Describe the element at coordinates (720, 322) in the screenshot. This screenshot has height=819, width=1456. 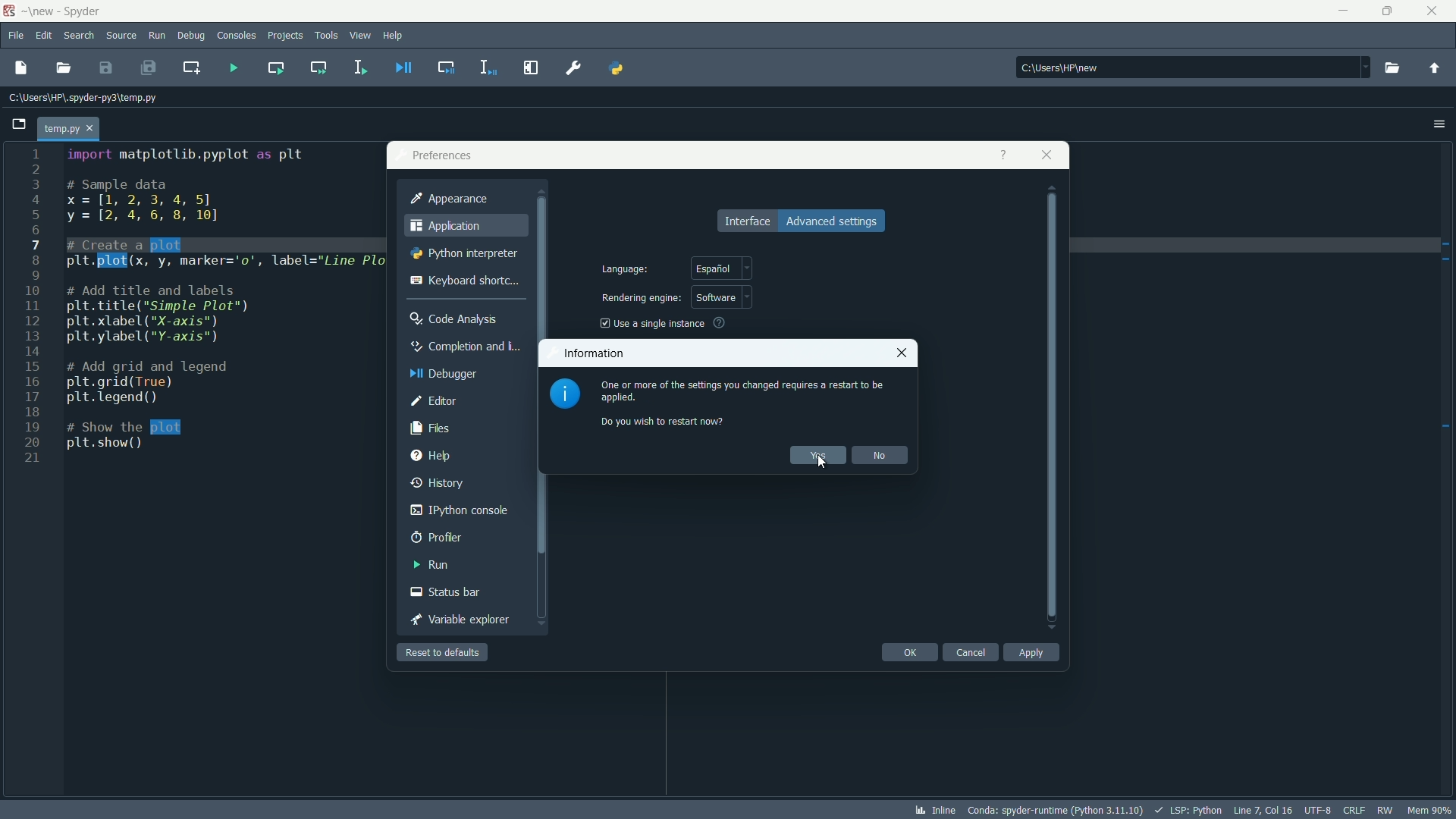
I see `see more info` at that location.